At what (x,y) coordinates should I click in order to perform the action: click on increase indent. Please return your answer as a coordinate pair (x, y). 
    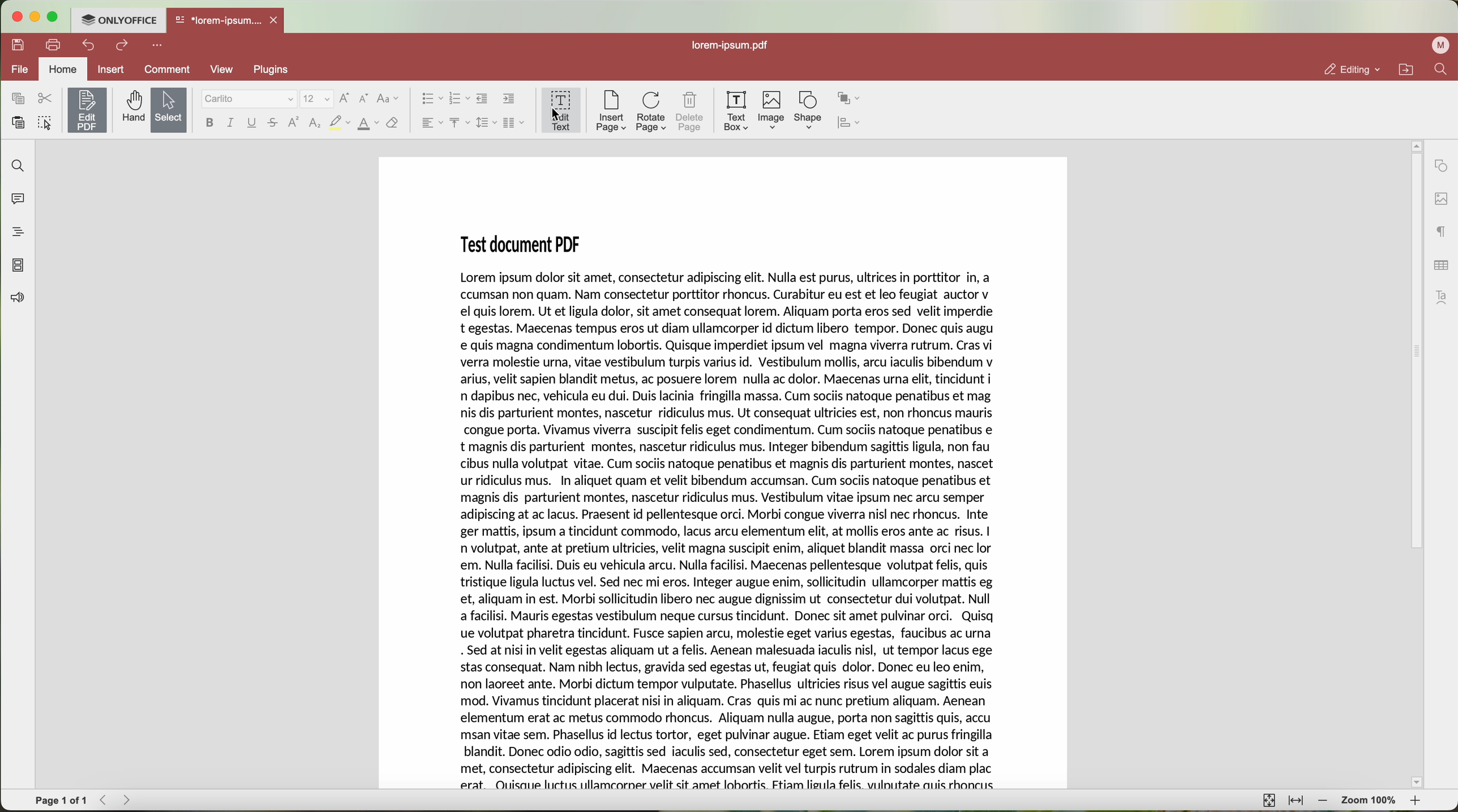
    Looking at the image, I should click on (510, 99).